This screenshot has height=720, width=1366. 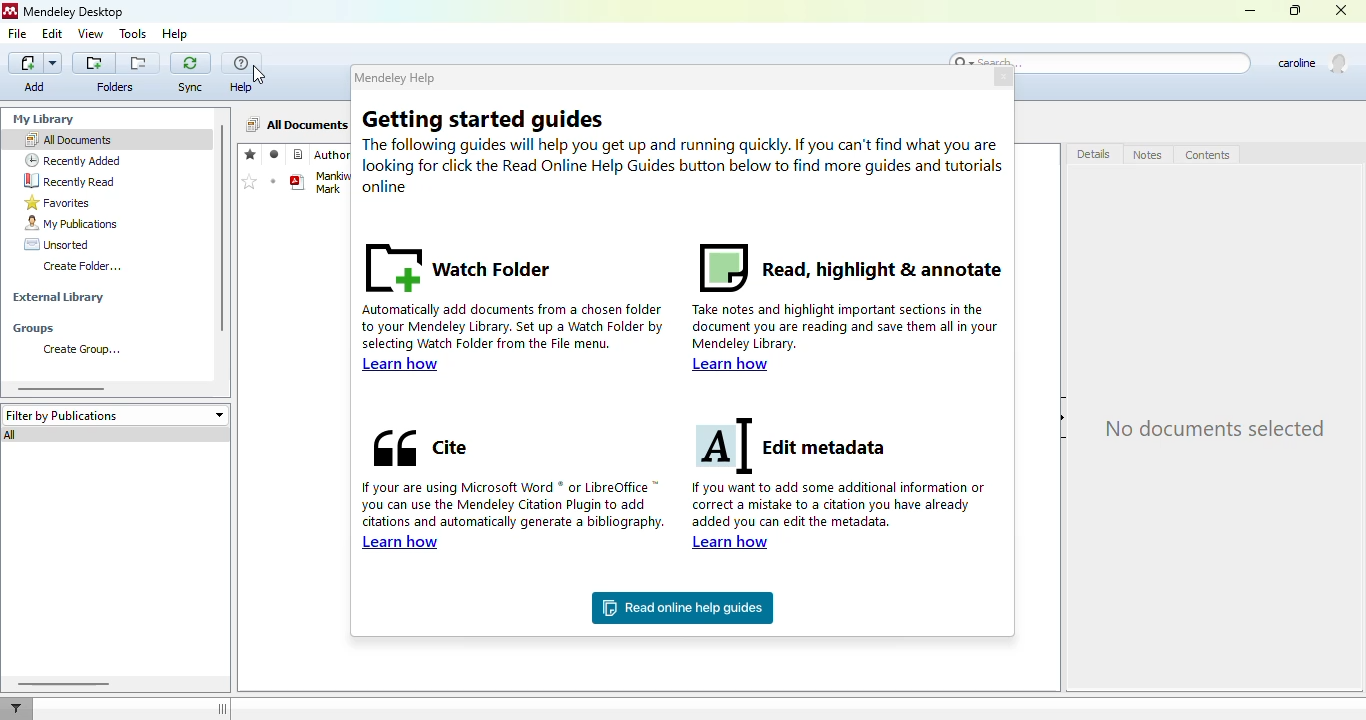 I want to click on help, so click(x=175, y=33).